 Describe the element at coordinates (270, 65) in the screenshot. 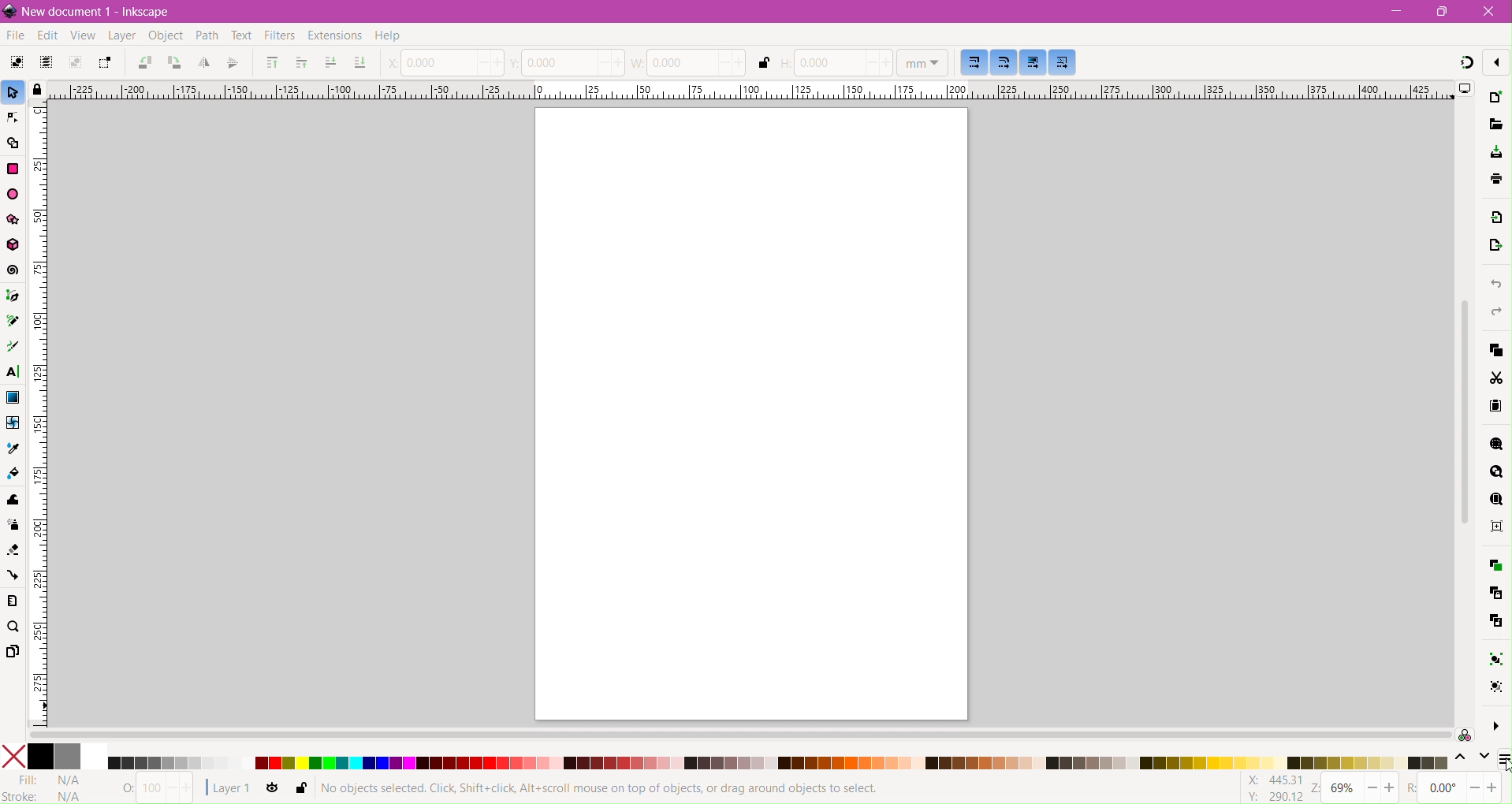

I see `Riase to Top` at that location.